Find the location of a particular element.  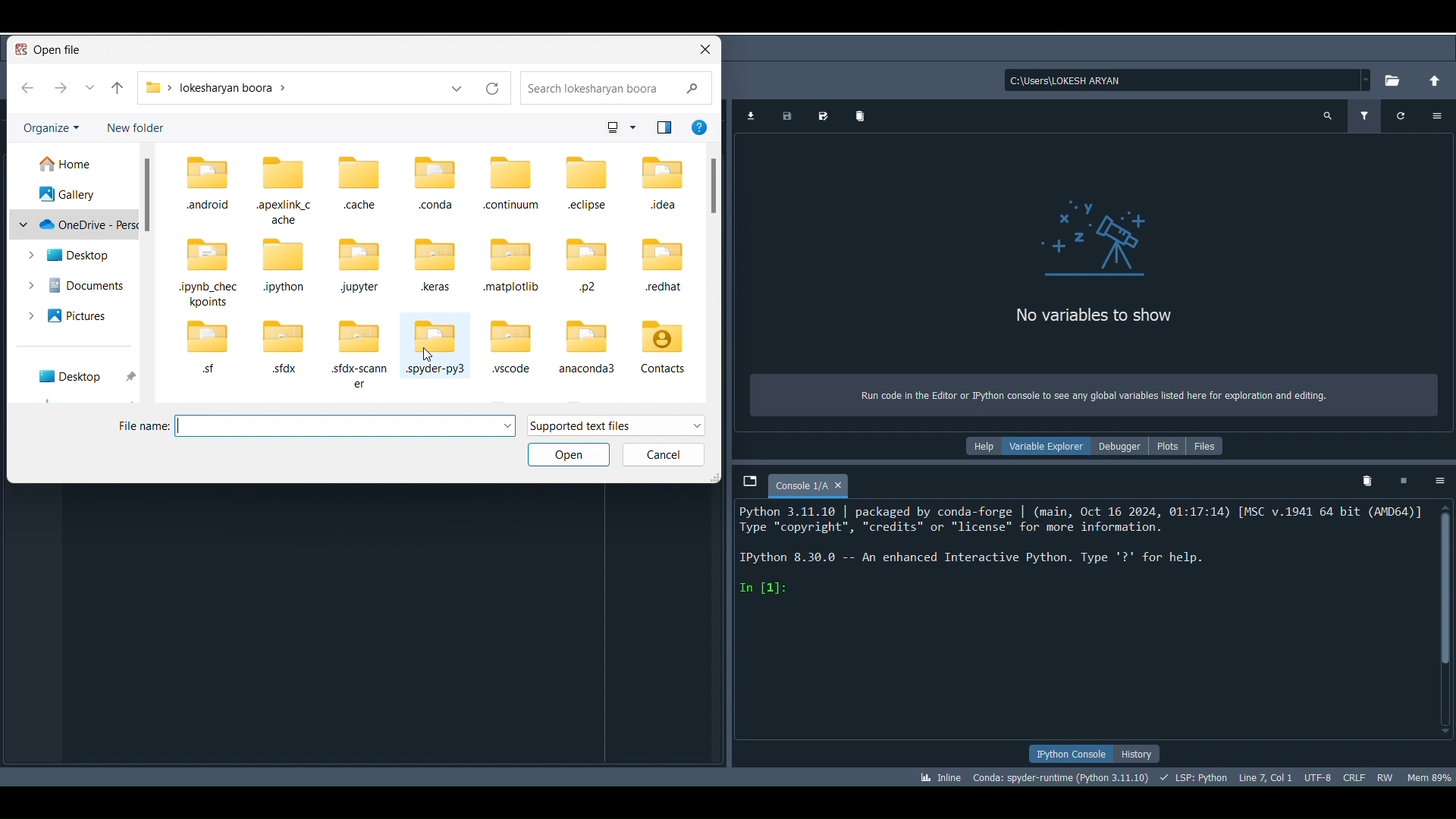

Organize is located at coordinates (52, 128).